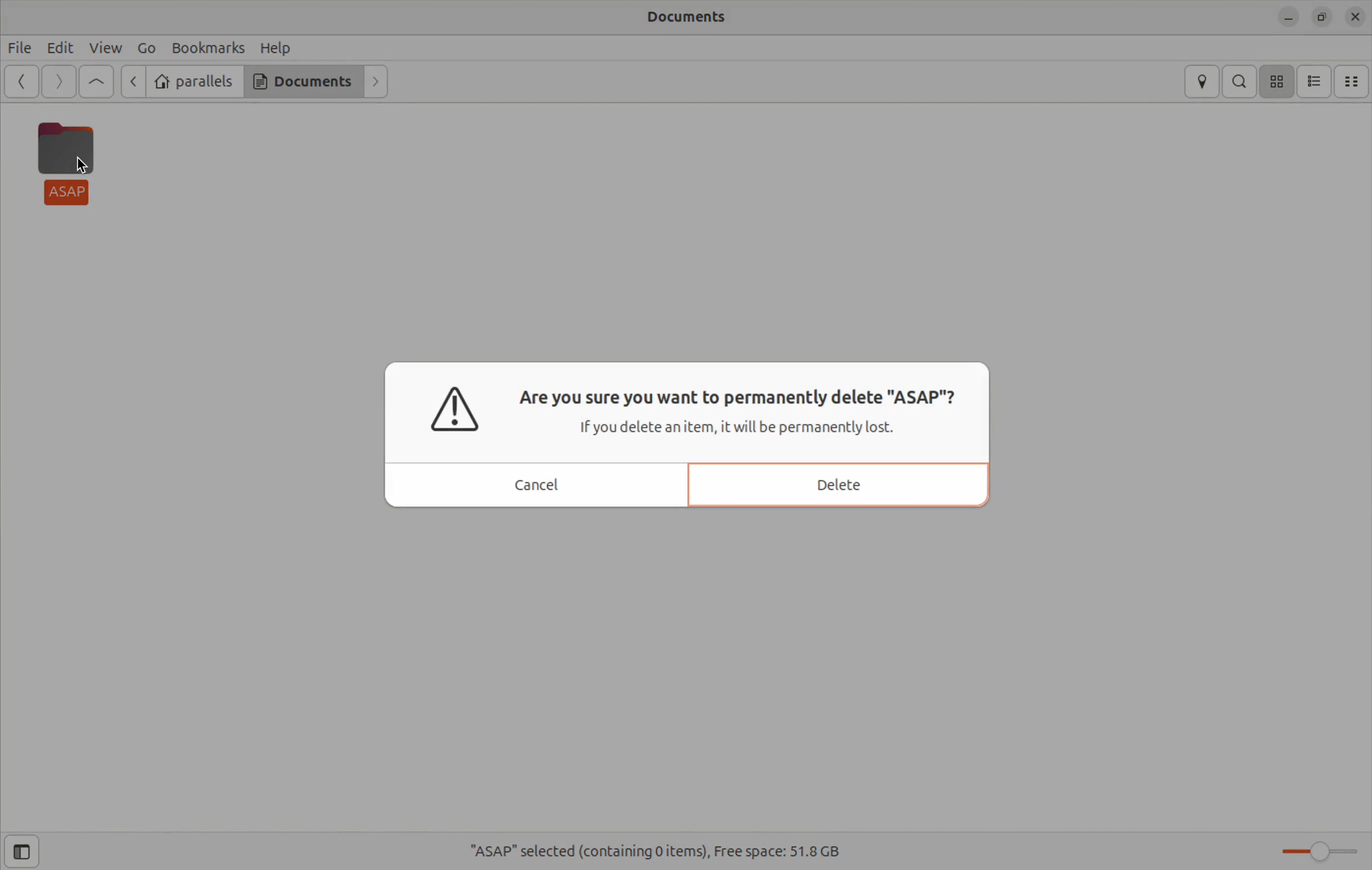 This screenshot has height=870, width=1372. Describe the element at coordinates (459, 413) in the screenshot. I see `warning sign` at that location.